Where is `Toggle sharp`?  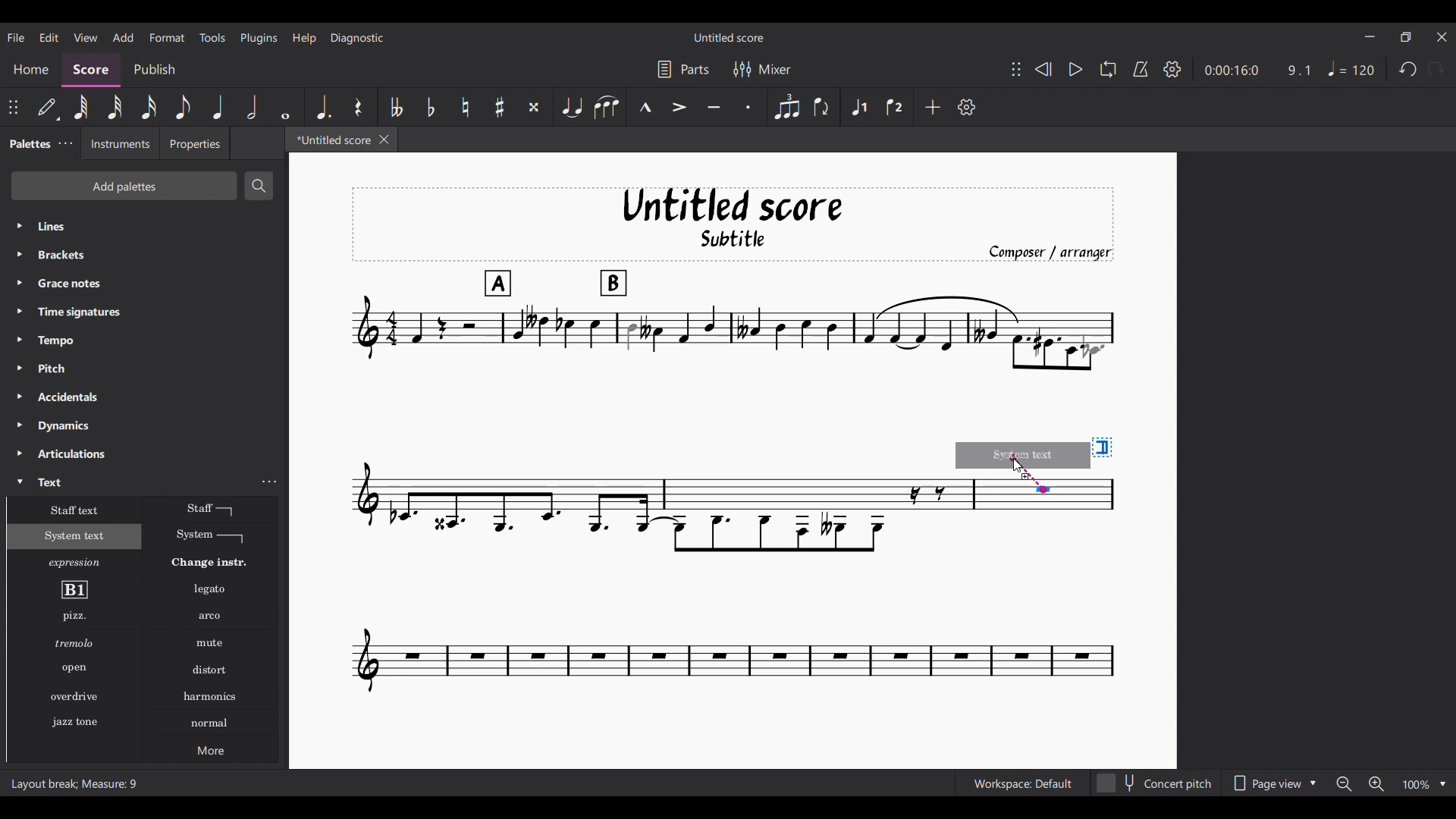
Toggle sharp is located at coordinates (499, 107).